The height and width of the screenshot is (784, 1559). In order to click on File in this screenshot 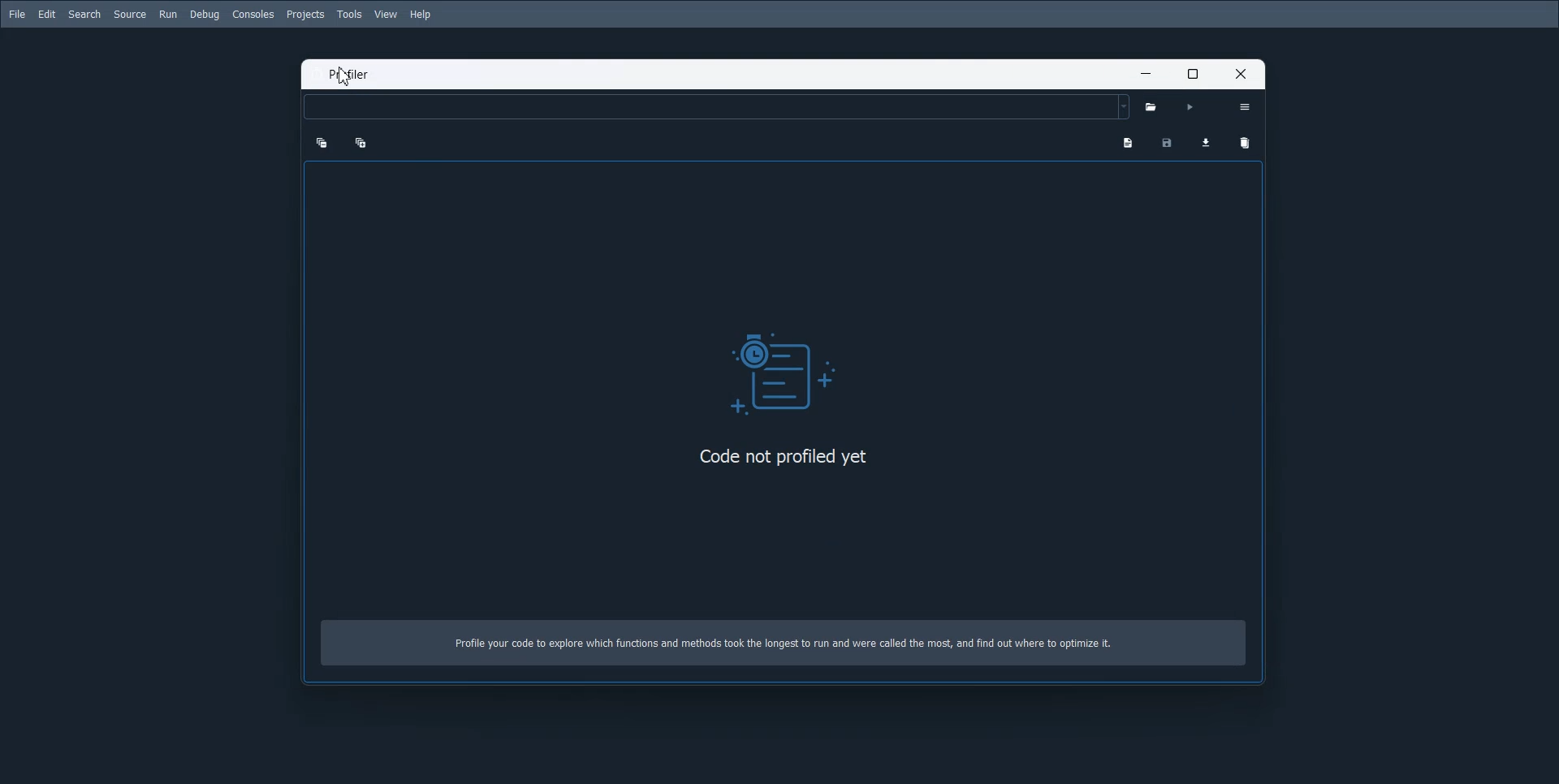, I will do `click(18, 14)`.